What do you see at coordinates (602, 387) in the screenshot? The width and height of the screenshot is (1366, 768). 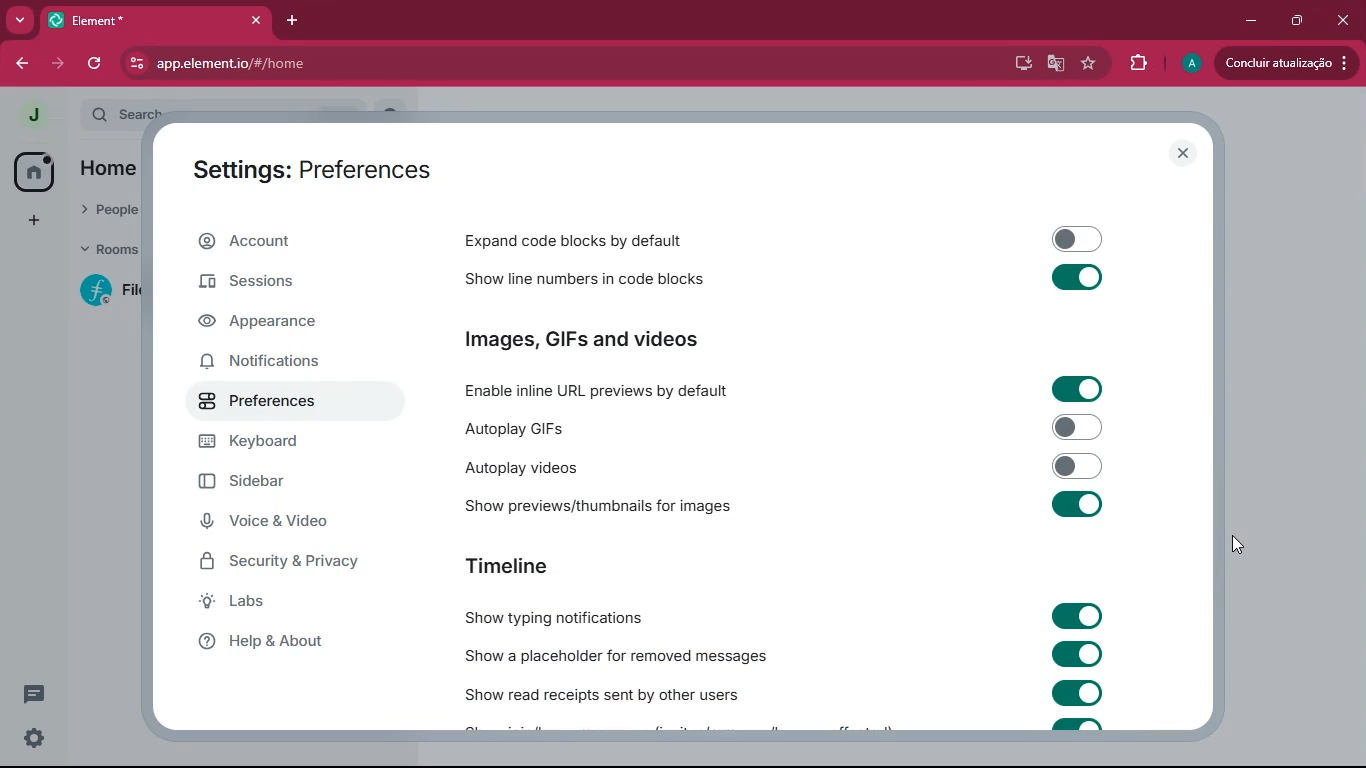 I see `enable inline URL previews by default` at bounding box center [602, 387].